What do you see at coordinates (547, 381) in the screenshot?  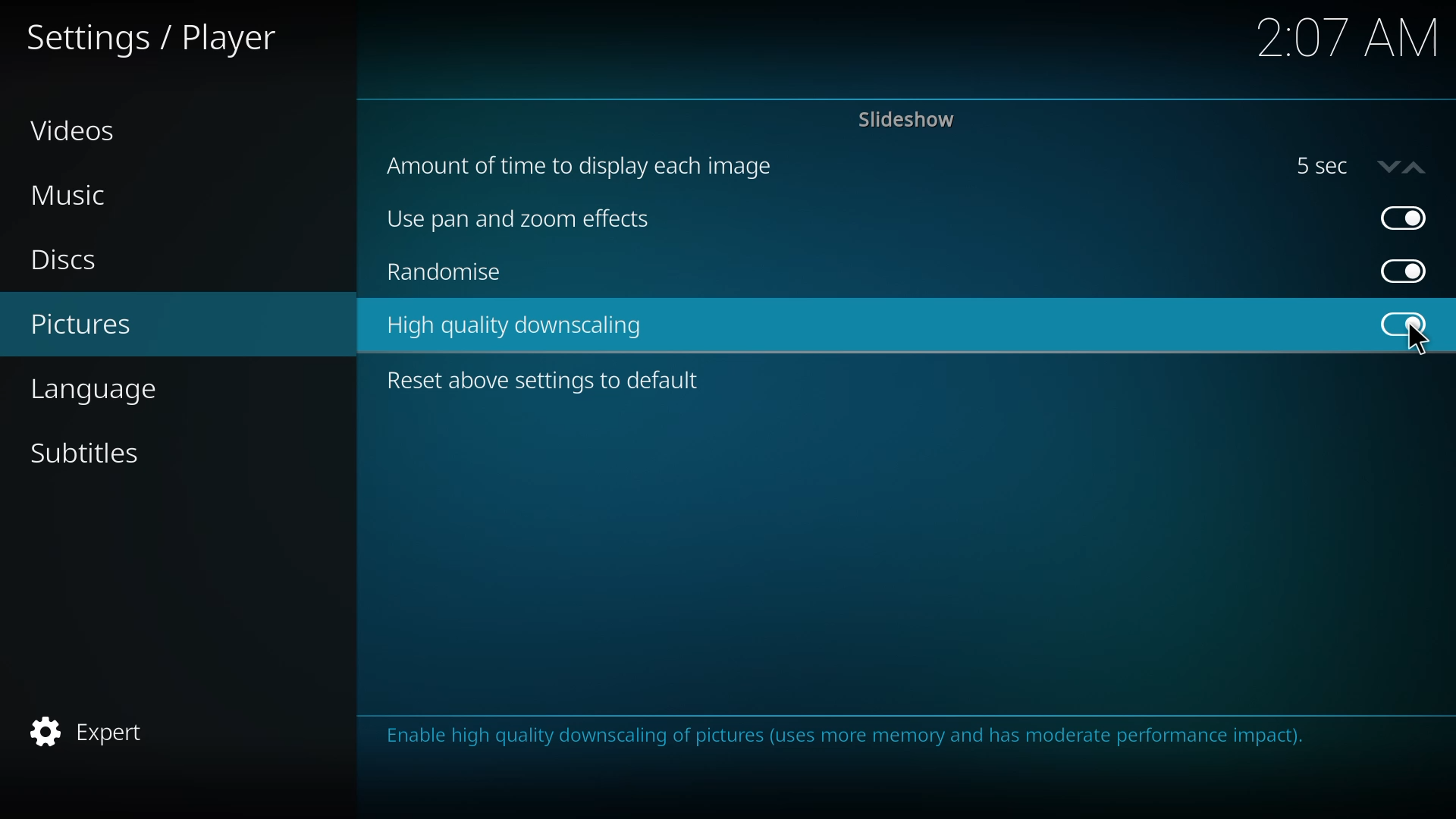 I see `reset above settings to default` at bounding box center [547, 381].